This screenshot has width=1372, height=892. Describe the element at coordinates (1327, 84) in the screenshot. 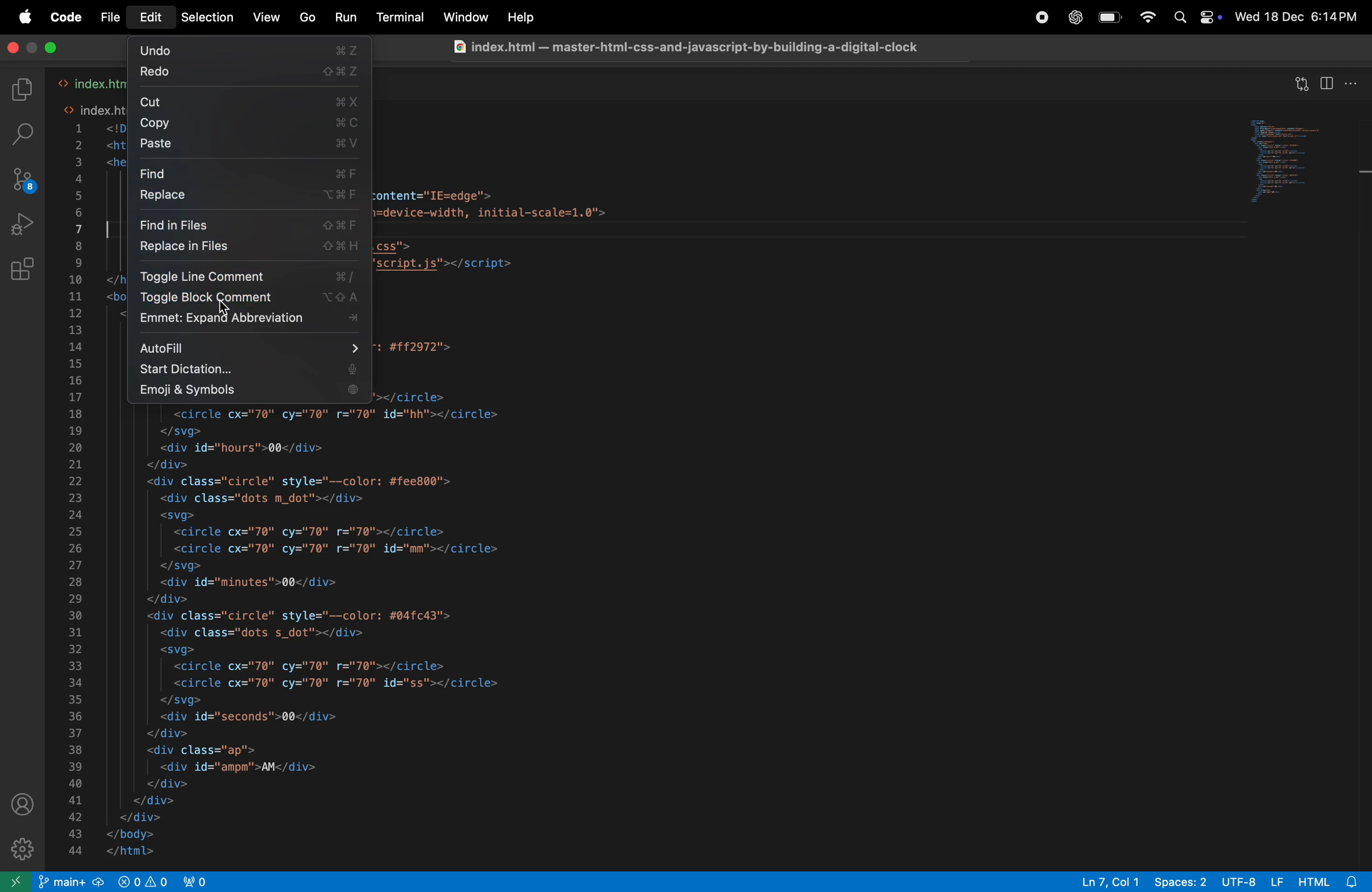

I see `split editor` at that location.